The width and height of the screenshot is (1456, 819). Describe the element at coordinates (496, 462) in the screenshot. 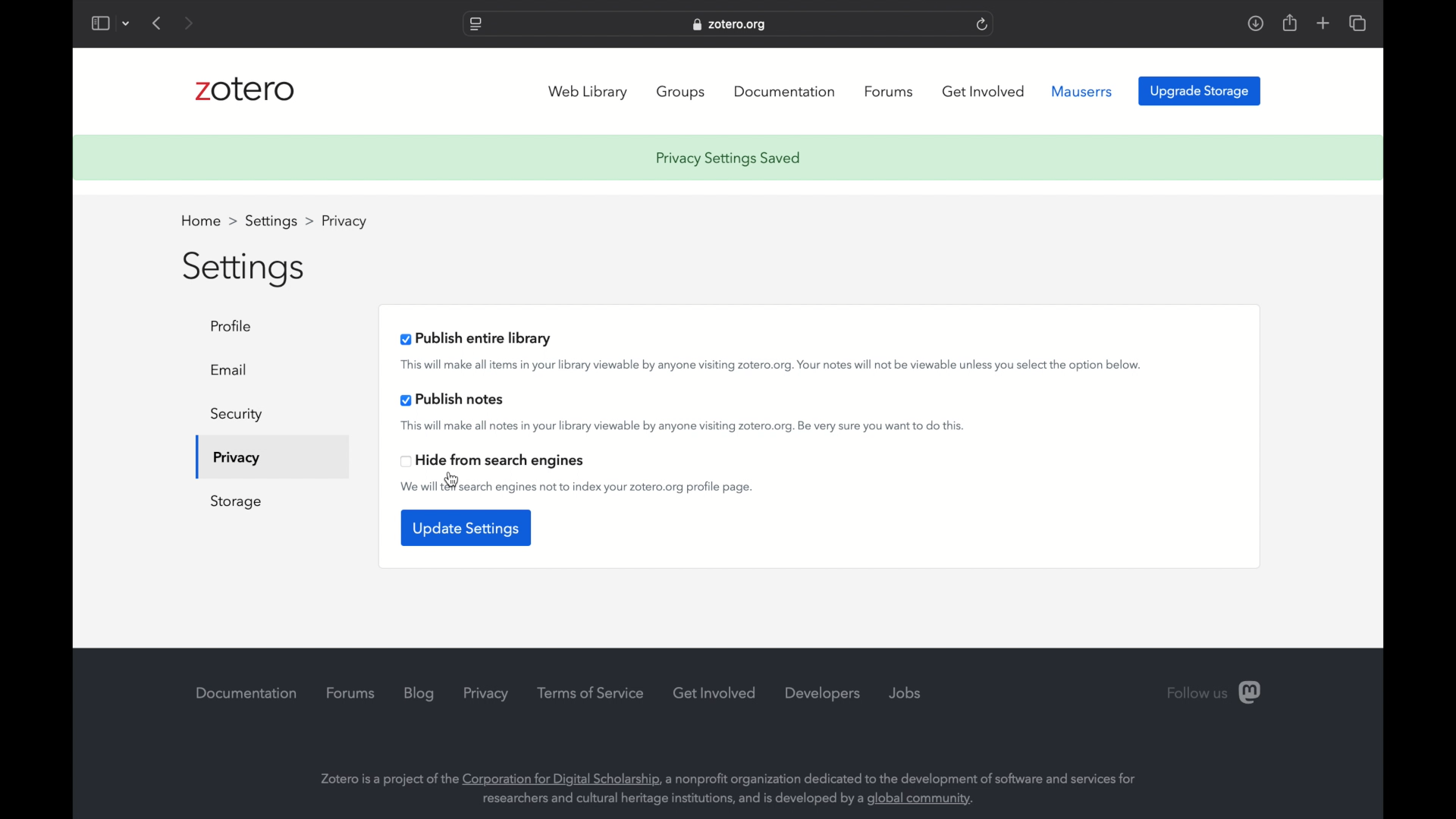

I see `hide from search engines` at that location.